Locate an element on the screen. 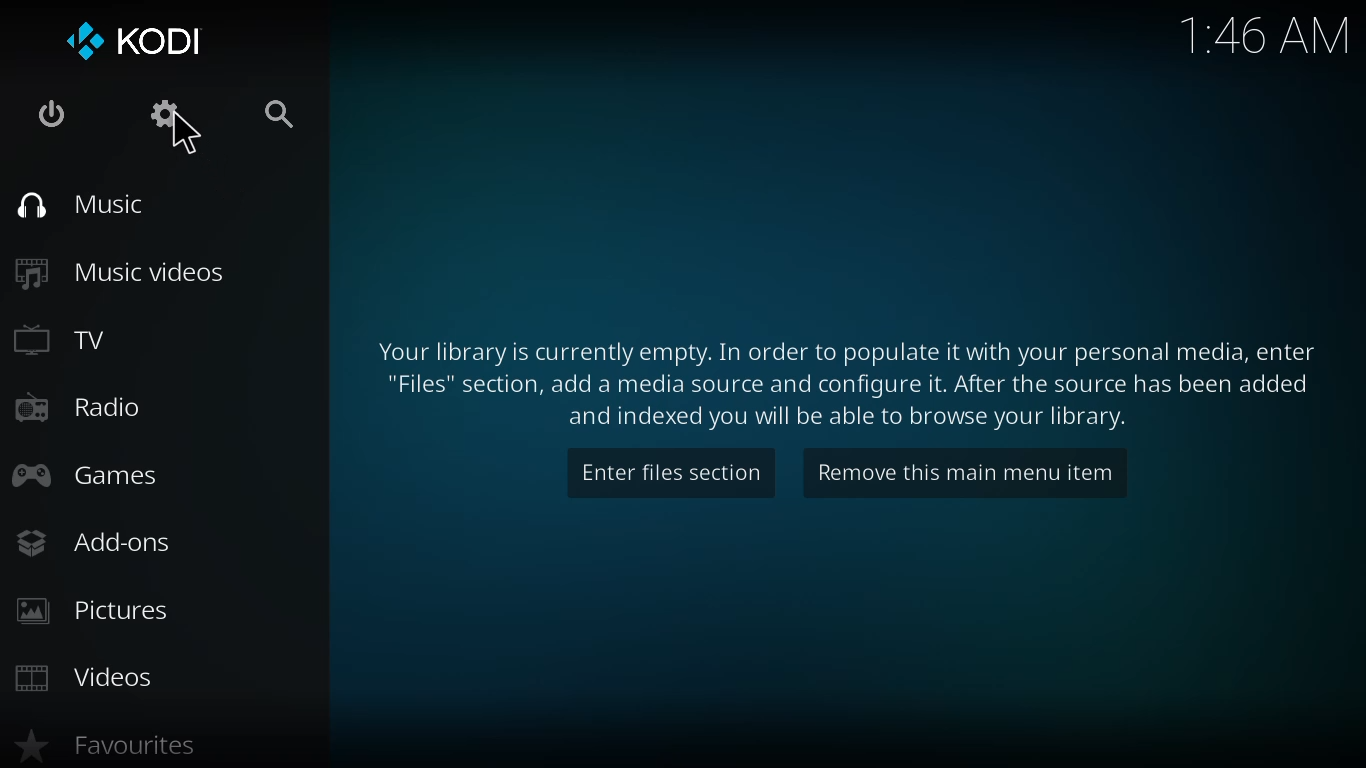 This screenshot has width=1366, height=768. power is located at coordinates (47, 115).